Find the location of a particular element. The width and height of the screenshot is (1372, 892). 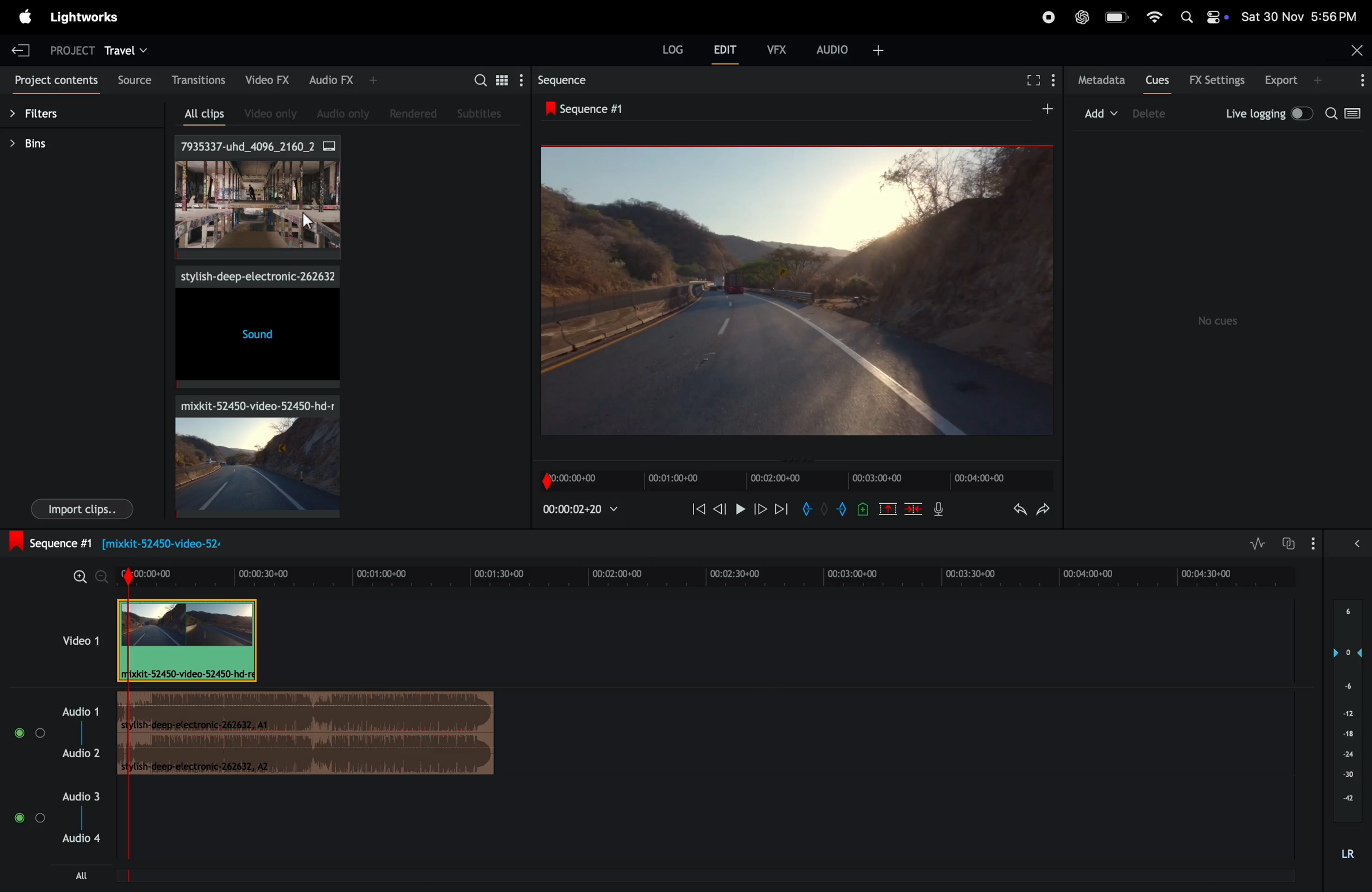

rewind is located at coordinates (696, 508).